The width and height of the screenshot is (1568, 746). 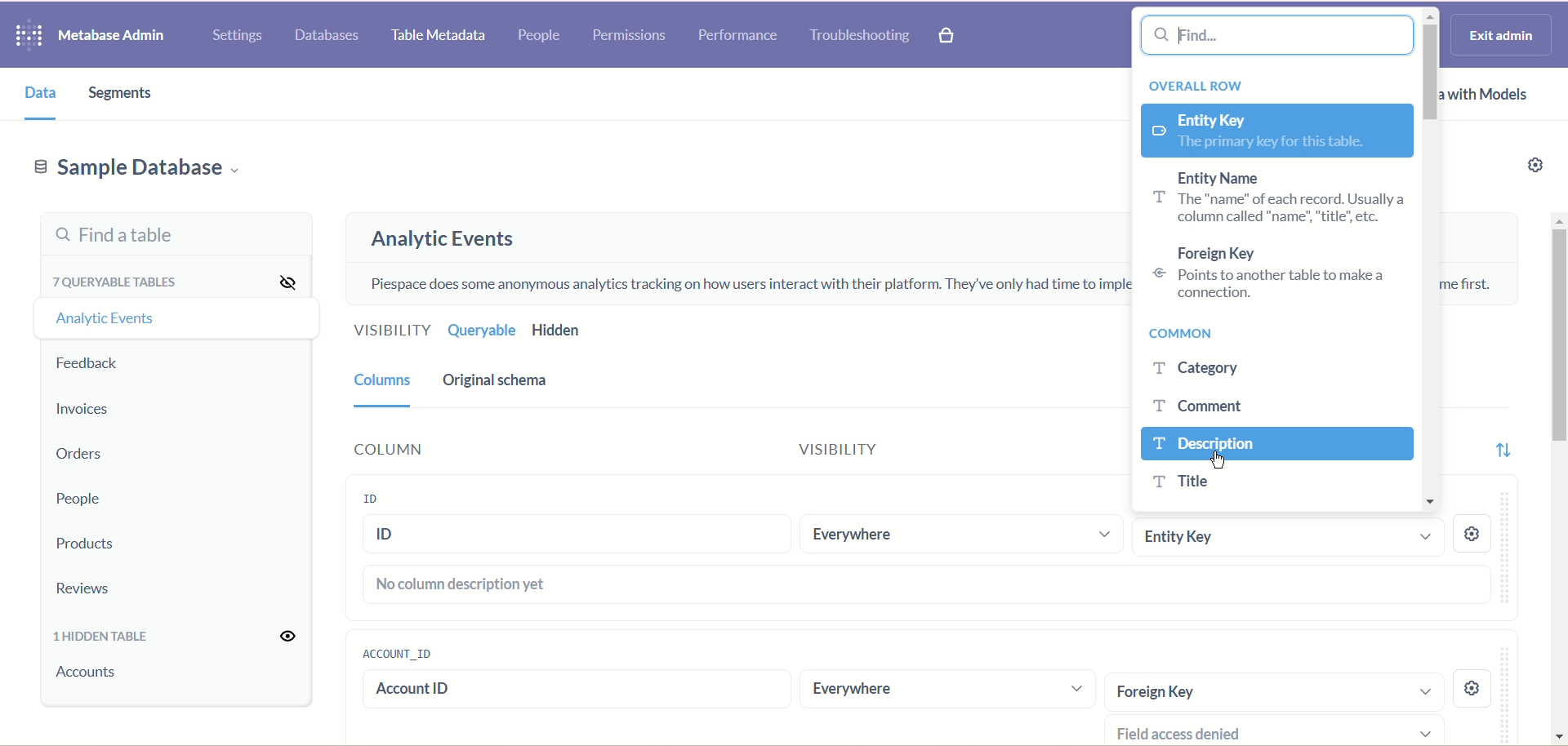 I want to click on reviews, so click(x=87, y=589).